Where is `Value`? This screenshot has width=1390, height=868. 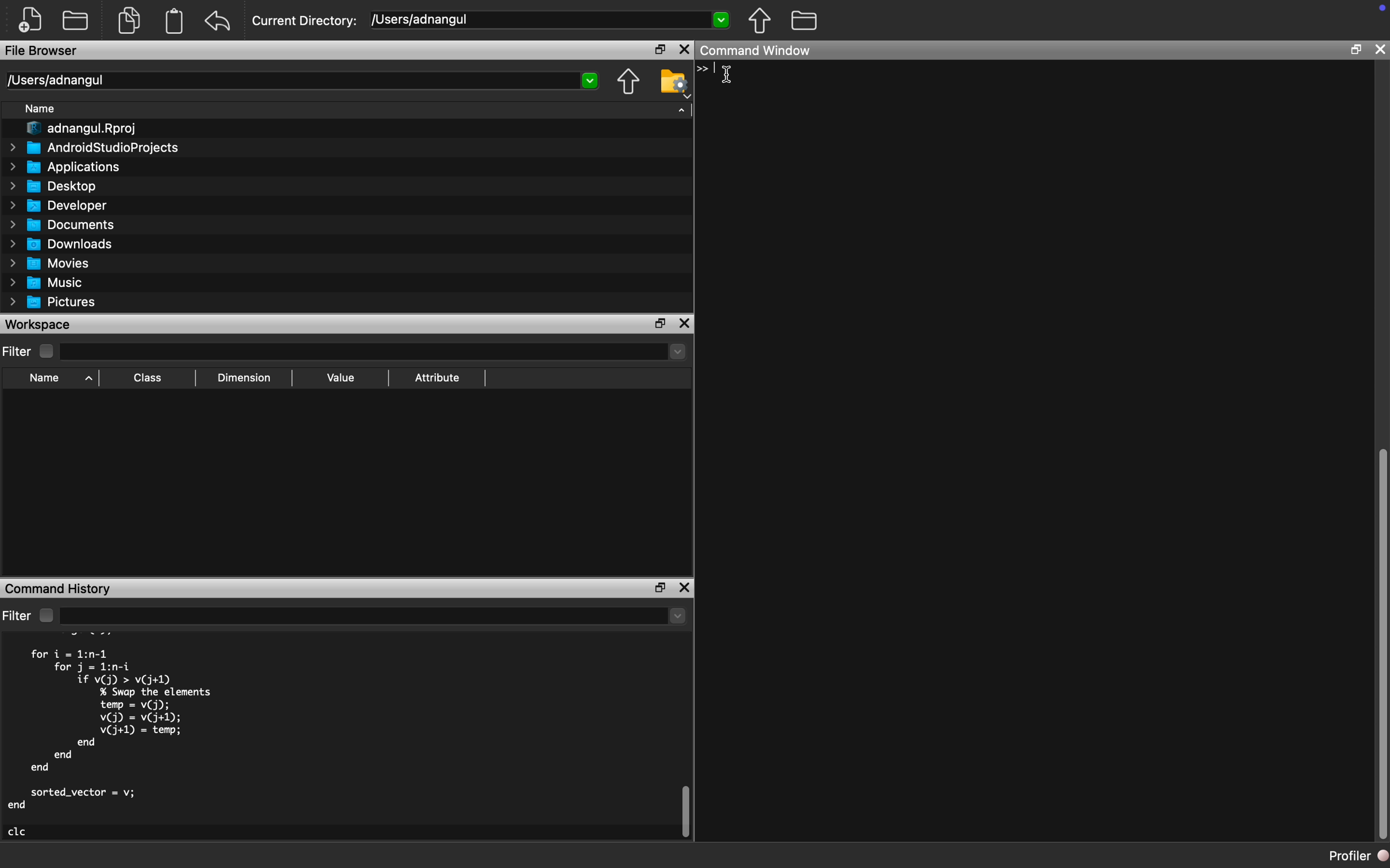 Value is located at coordinates (339, 378).